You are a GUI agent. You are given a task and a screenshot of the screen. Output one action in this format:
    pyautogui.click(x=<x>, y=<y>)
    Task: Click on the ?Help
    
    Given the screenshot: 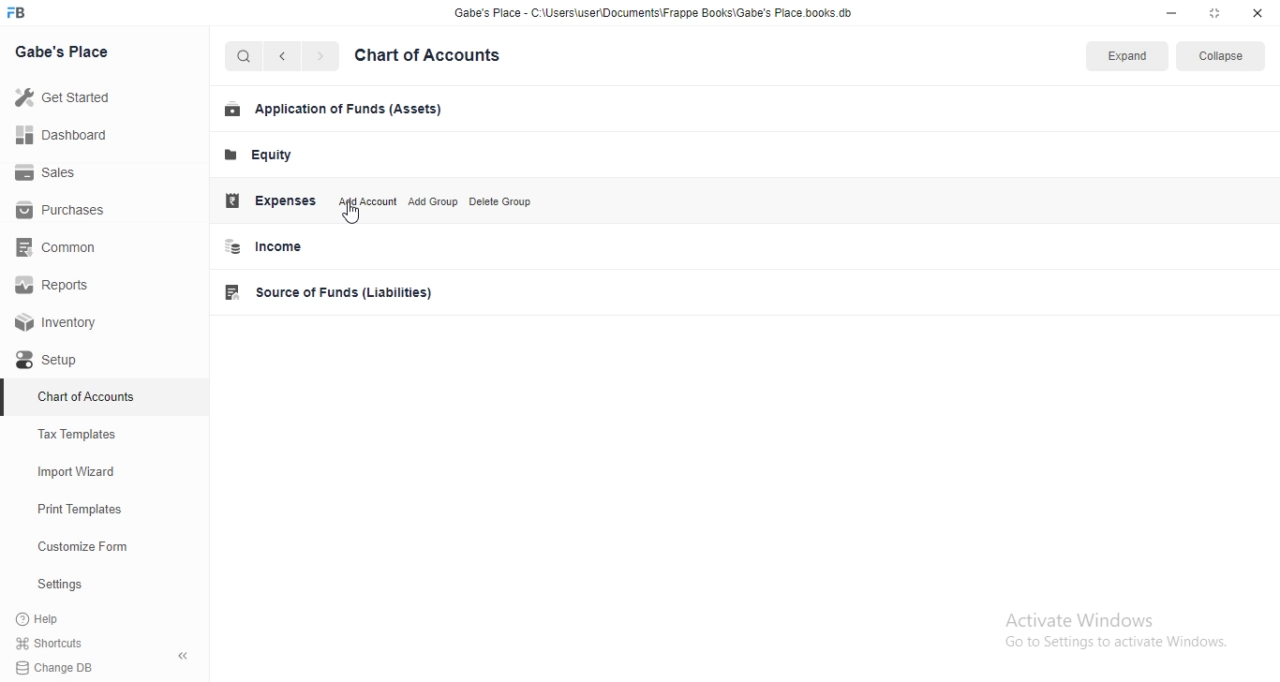 What is the action you would take?
    pyautogui.click(x=59, y=619)
    